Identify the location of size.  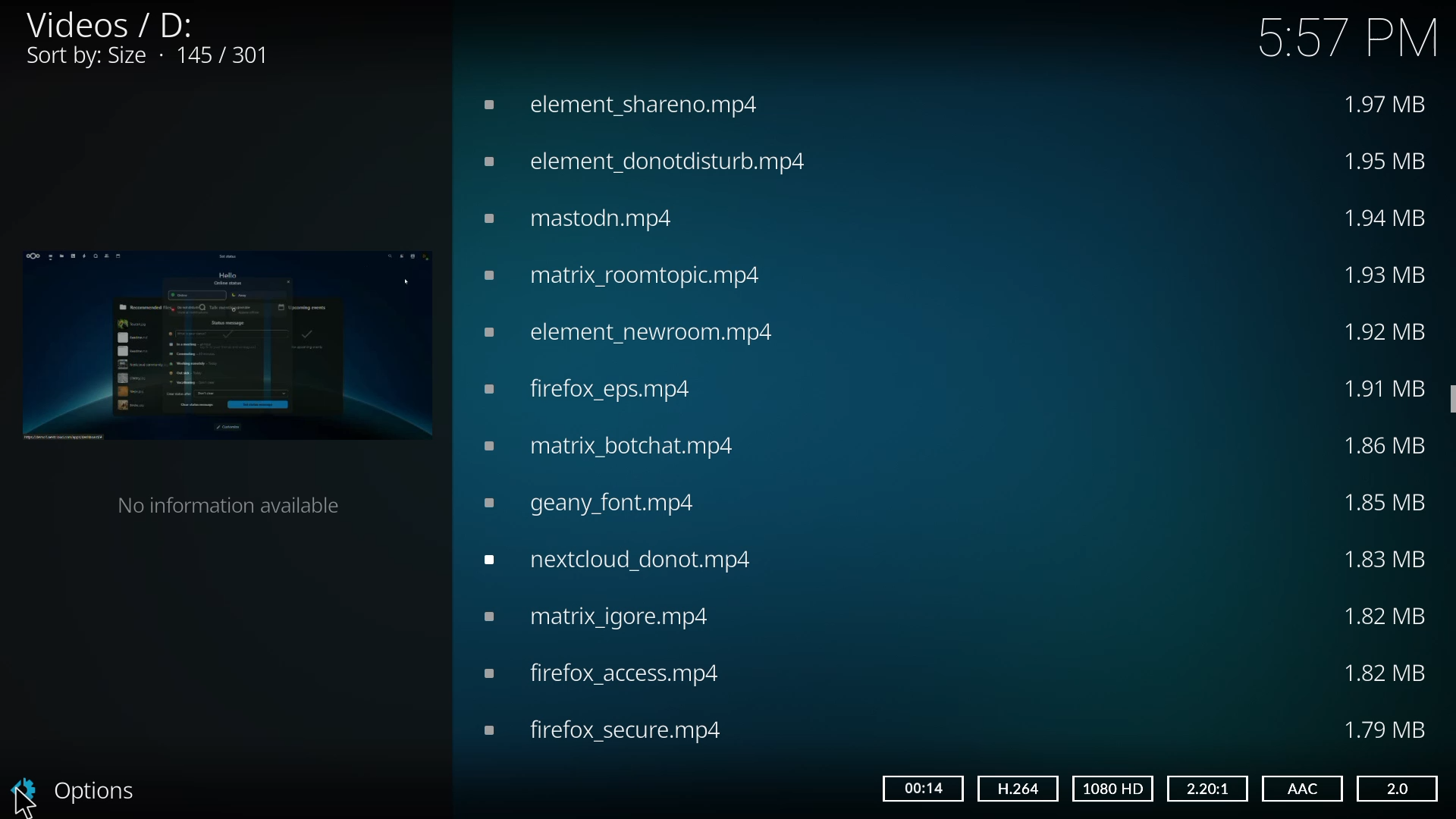
(1384, 673).